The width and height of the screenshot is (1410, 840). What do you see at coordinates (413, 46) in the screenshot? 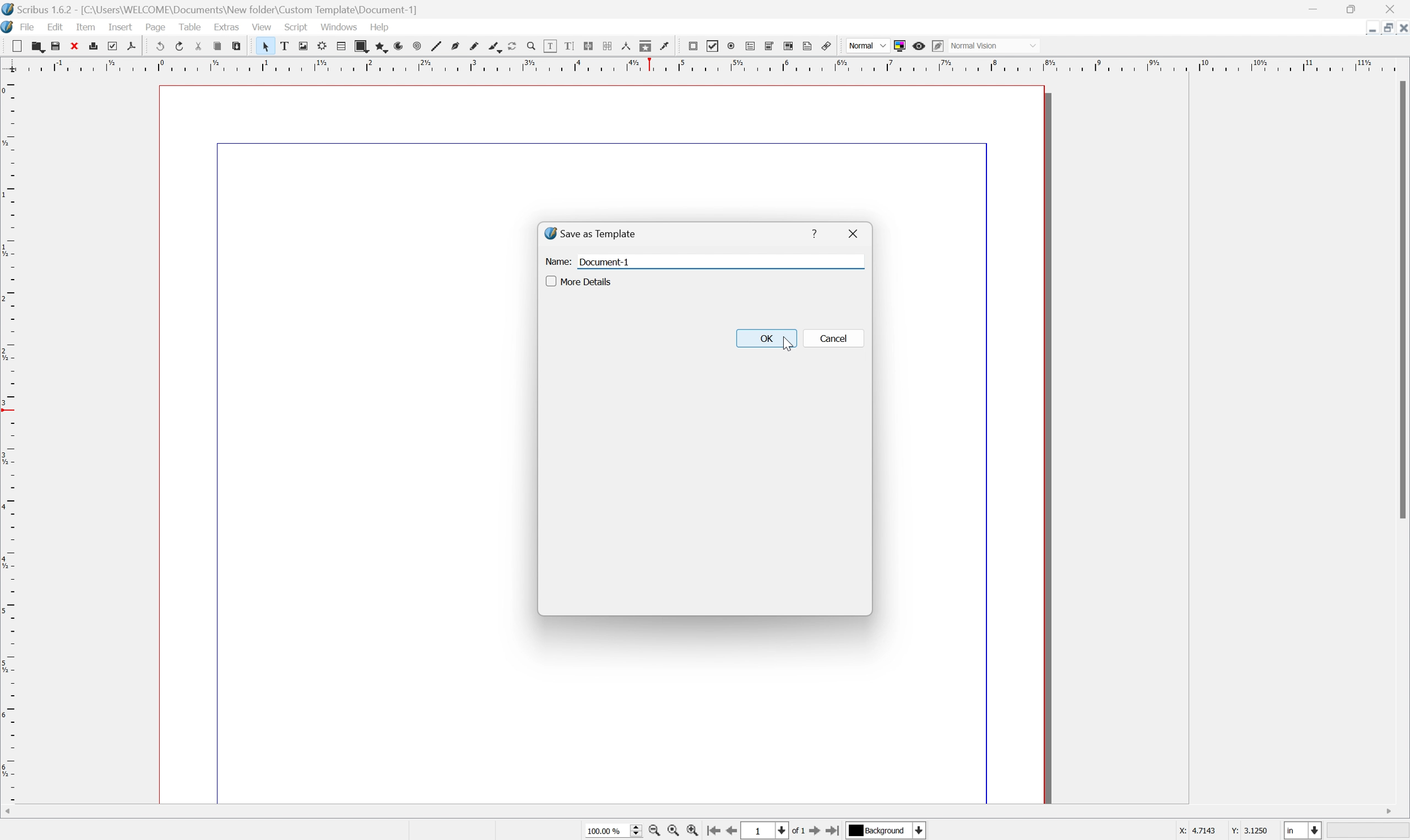
I see `spiral` at bounding box center [413, 46].